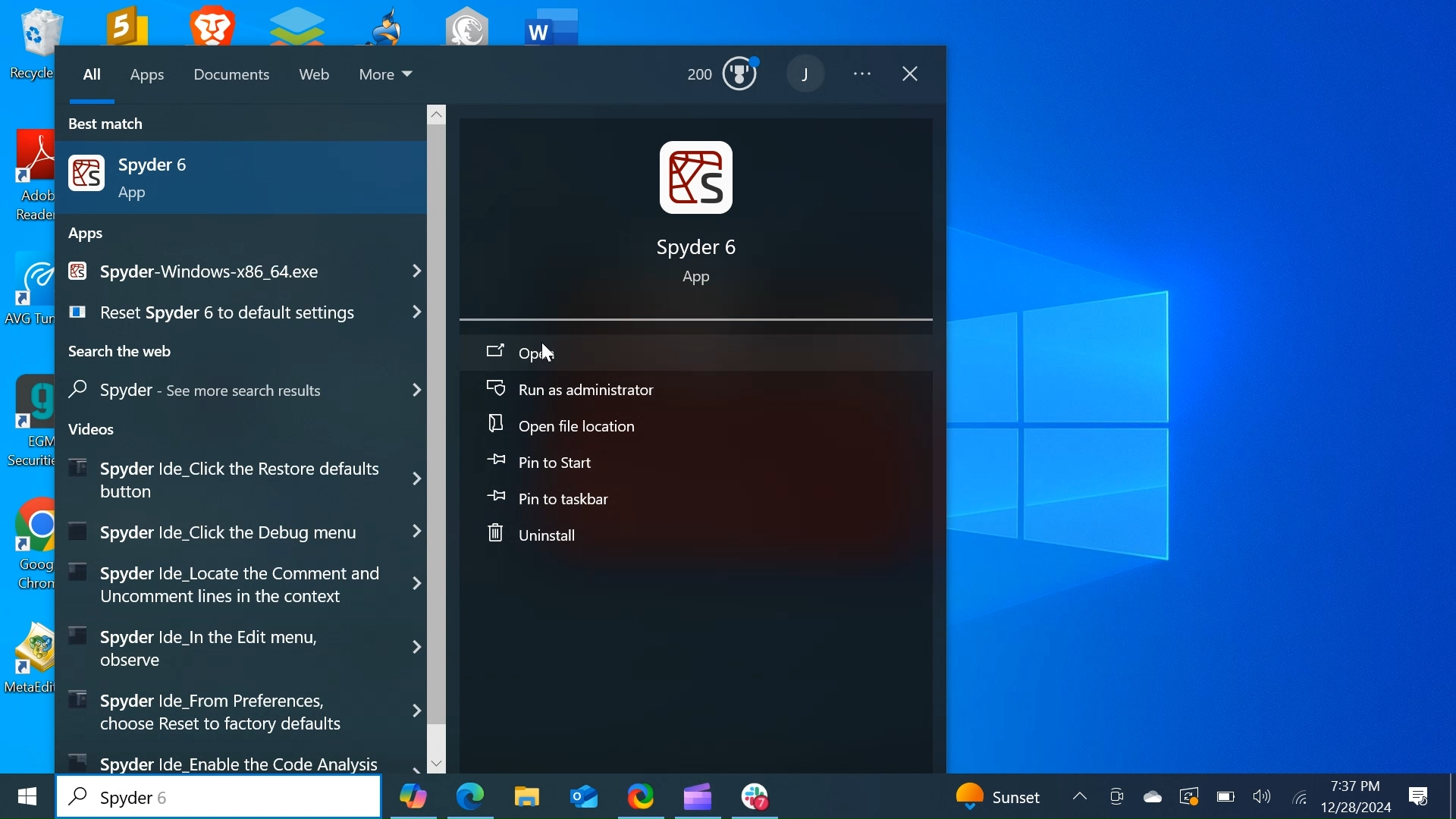 This screenshot has width=1456, height=819. What do you see at coordinates (1223, 797) in the screenshot?
I see `Charge` at bounding box center [1223, 797].